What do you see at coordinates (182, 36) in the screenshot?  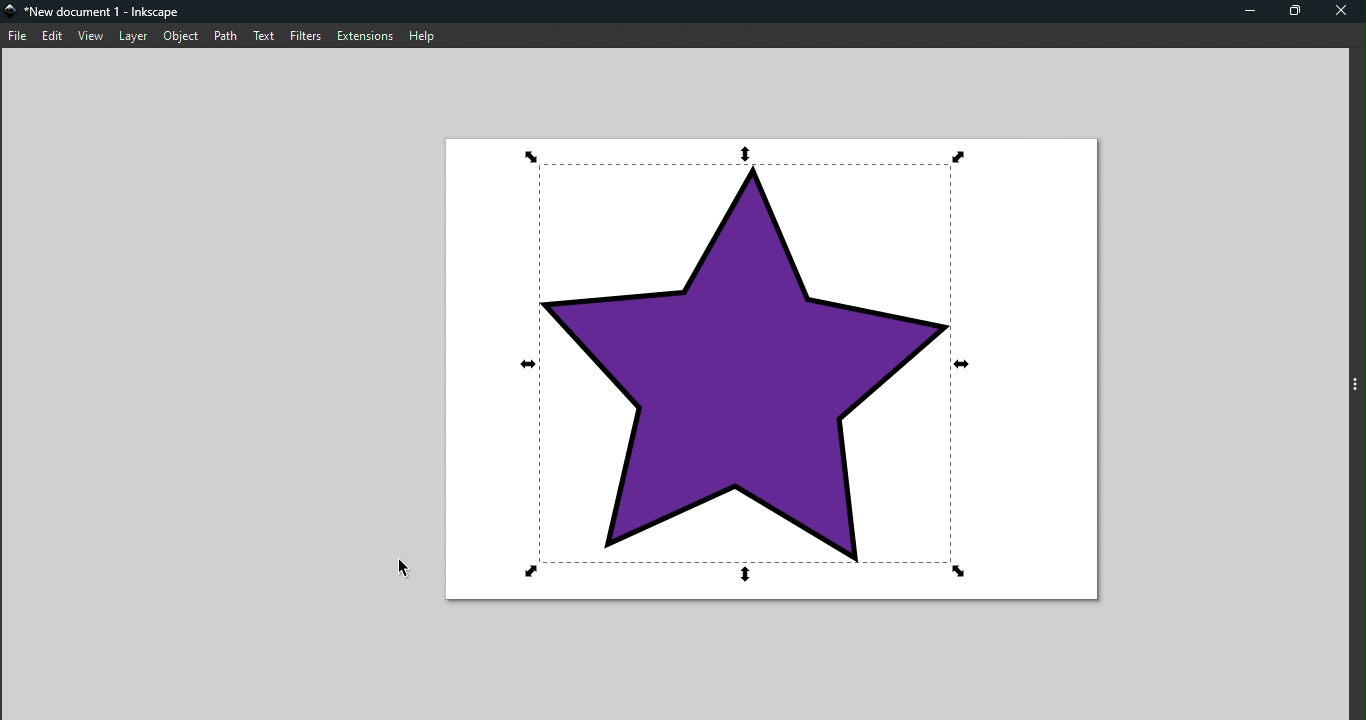 I see `Object` at bounding box center [182, 36].